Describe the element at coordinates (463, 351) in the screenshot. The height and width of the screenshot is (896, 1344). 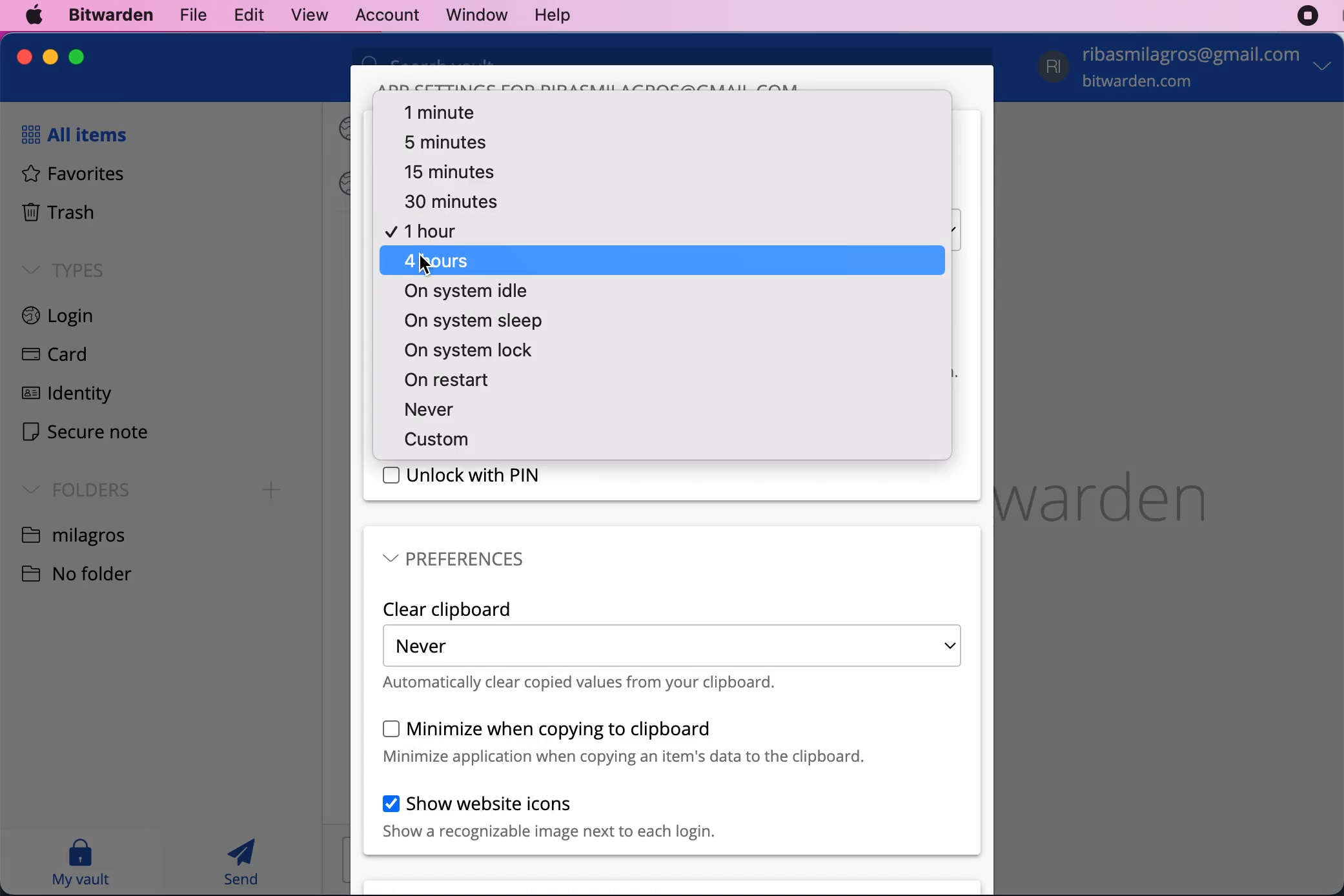
I see `on system lock` at that location.